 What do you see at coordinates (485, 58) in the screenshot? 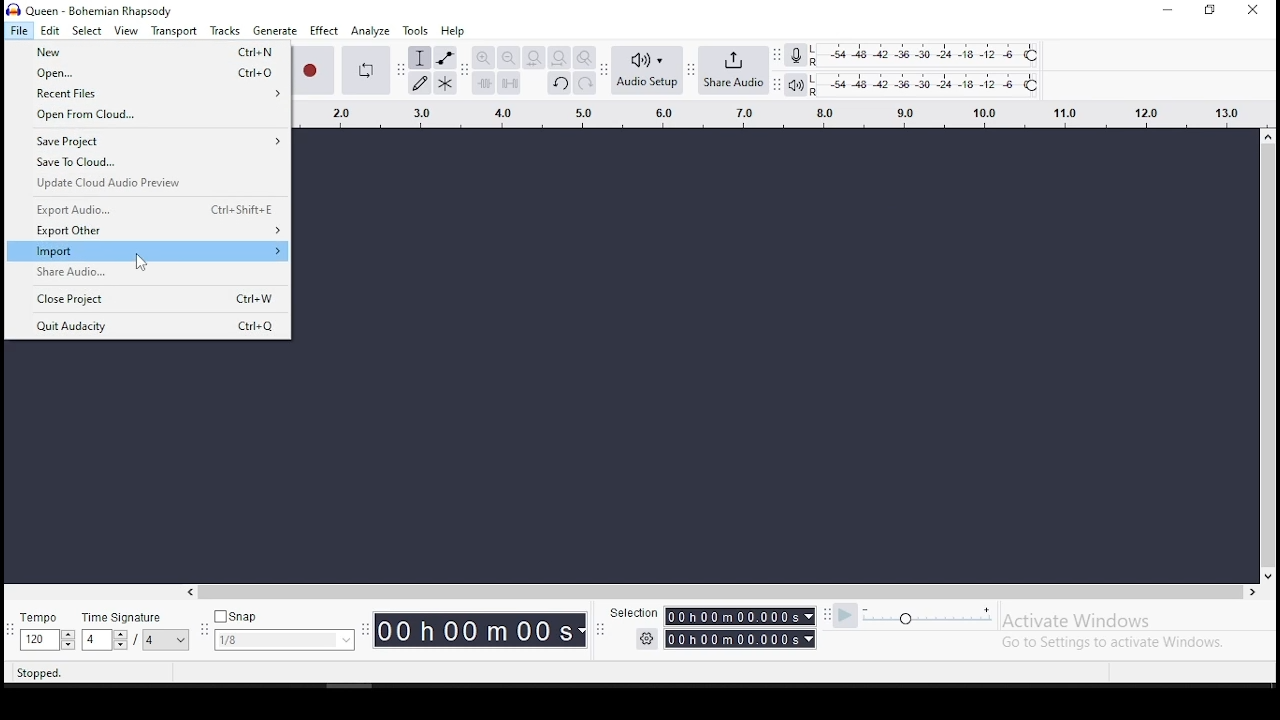
I see `zoom in` at bounding box center [485, 58].